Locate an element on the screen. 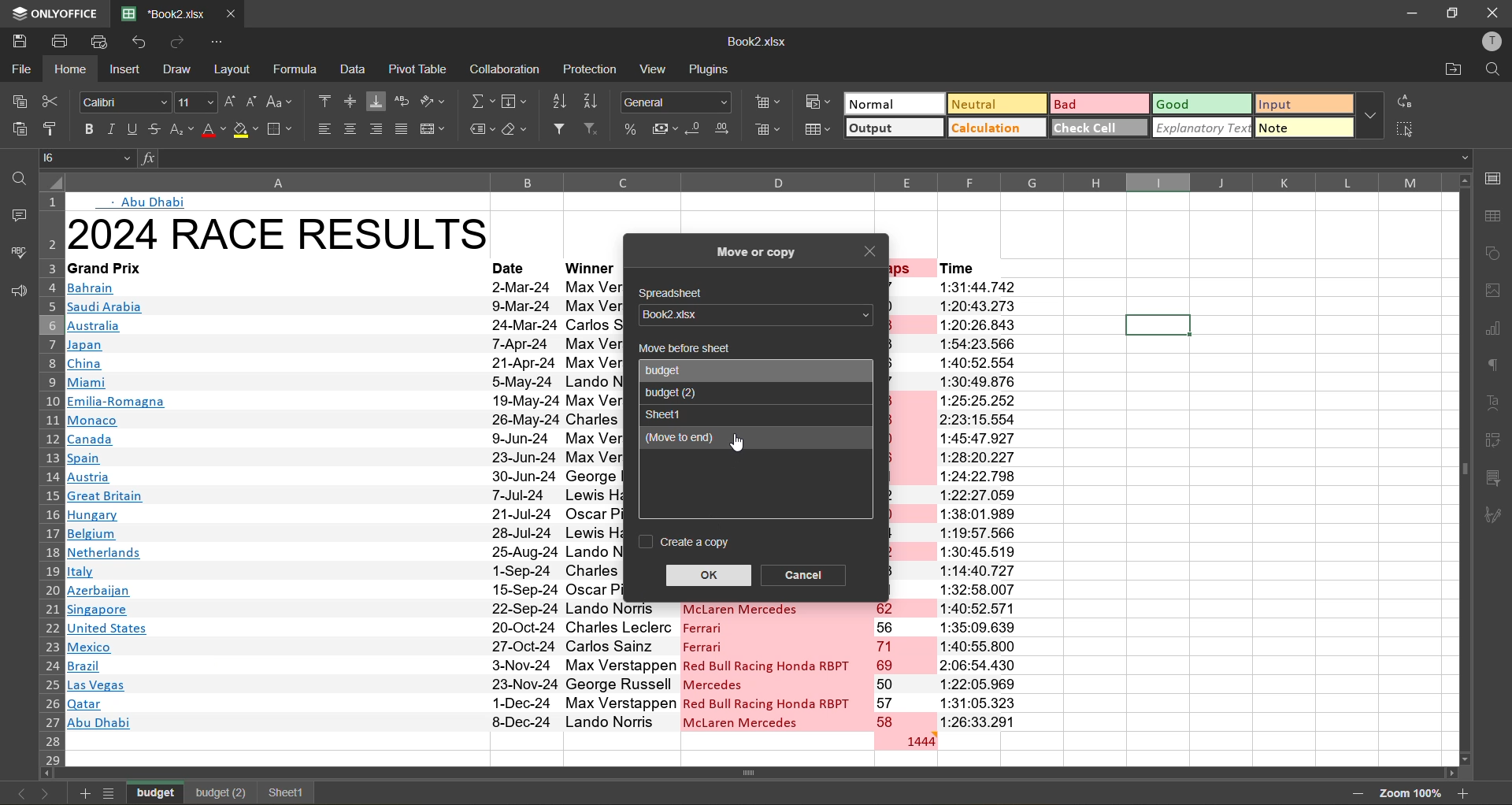  increment size is located at coordinates (231, 101).